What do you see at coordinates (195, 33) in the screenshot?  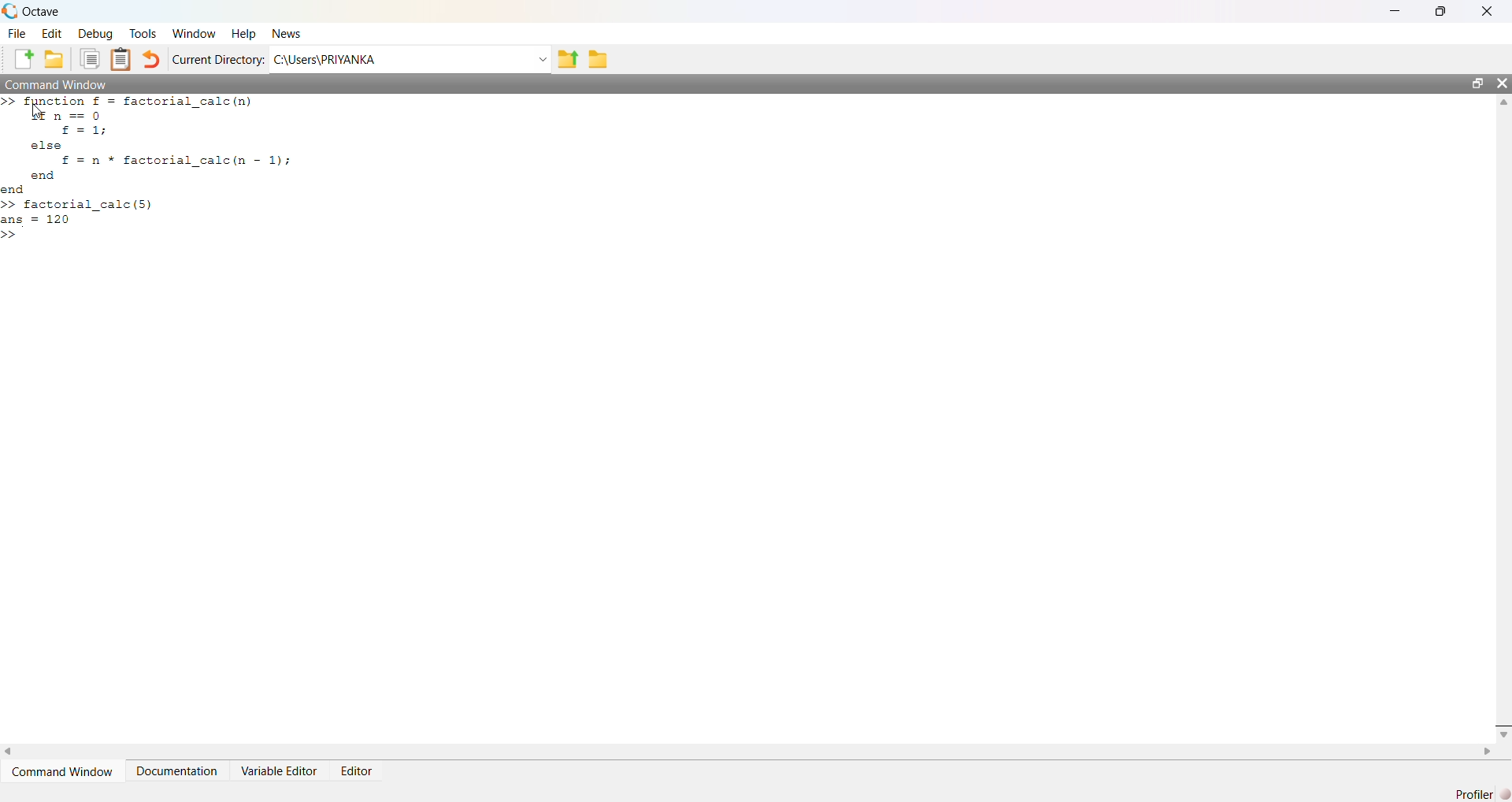 I see `window` at bounding box center [195, 33].